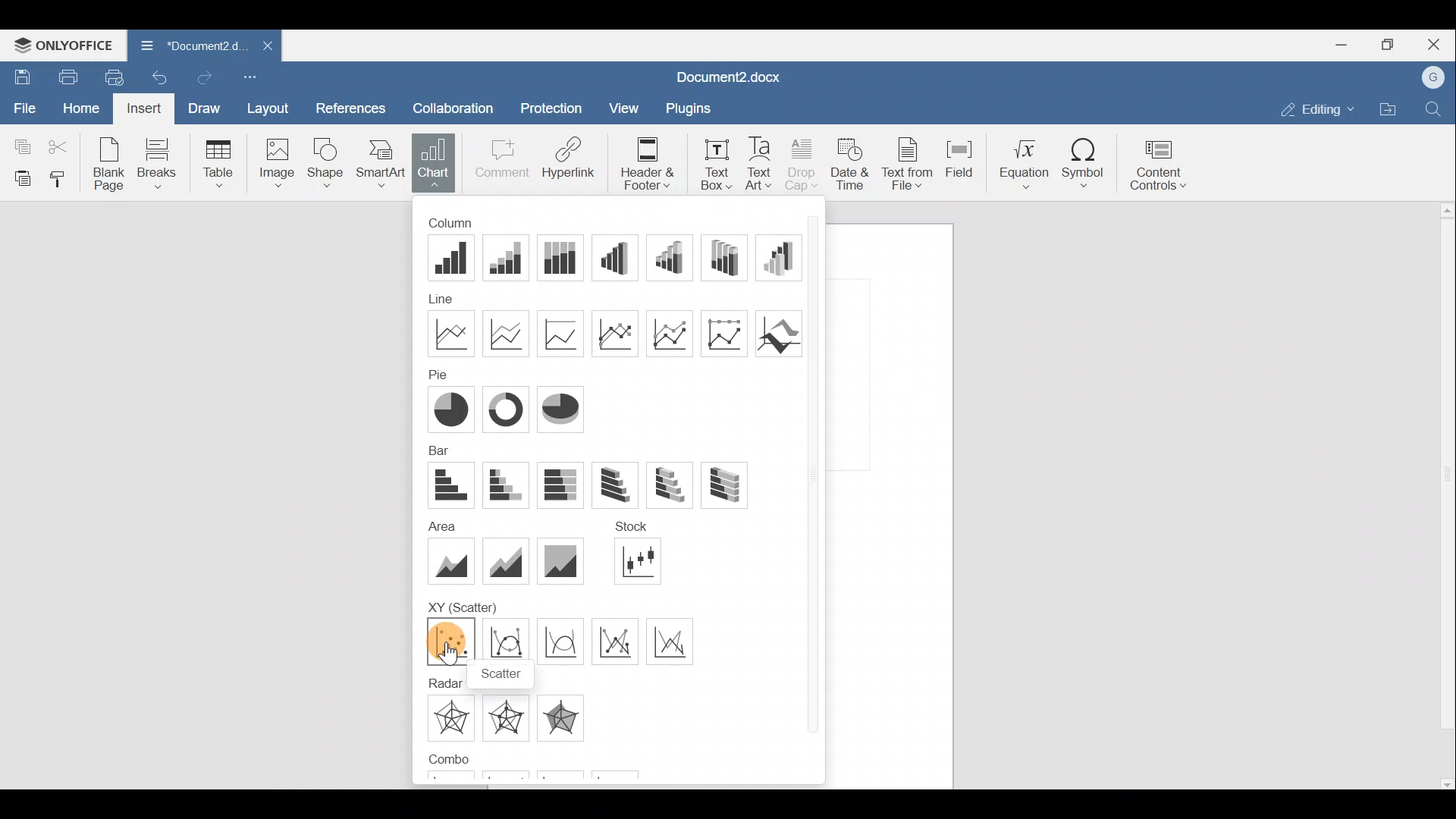 Image resolution: width=1456 pixels, height=819 pixels. What do you see at coordinates (552, 105) in the screenshot?
I see `Protection` at bounding box center [552, 105].